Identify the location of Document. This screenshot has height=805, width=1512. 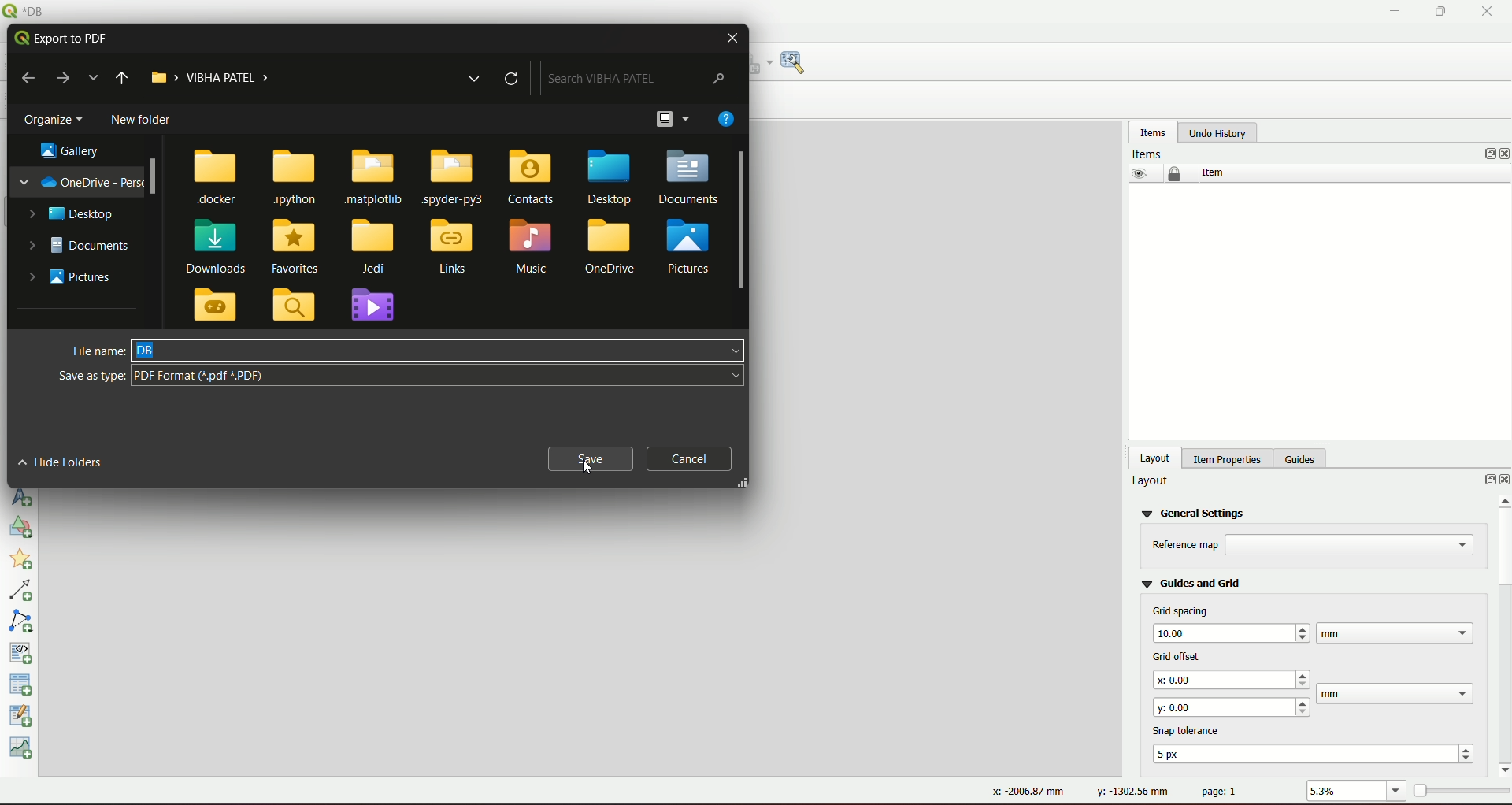
(690, 178).